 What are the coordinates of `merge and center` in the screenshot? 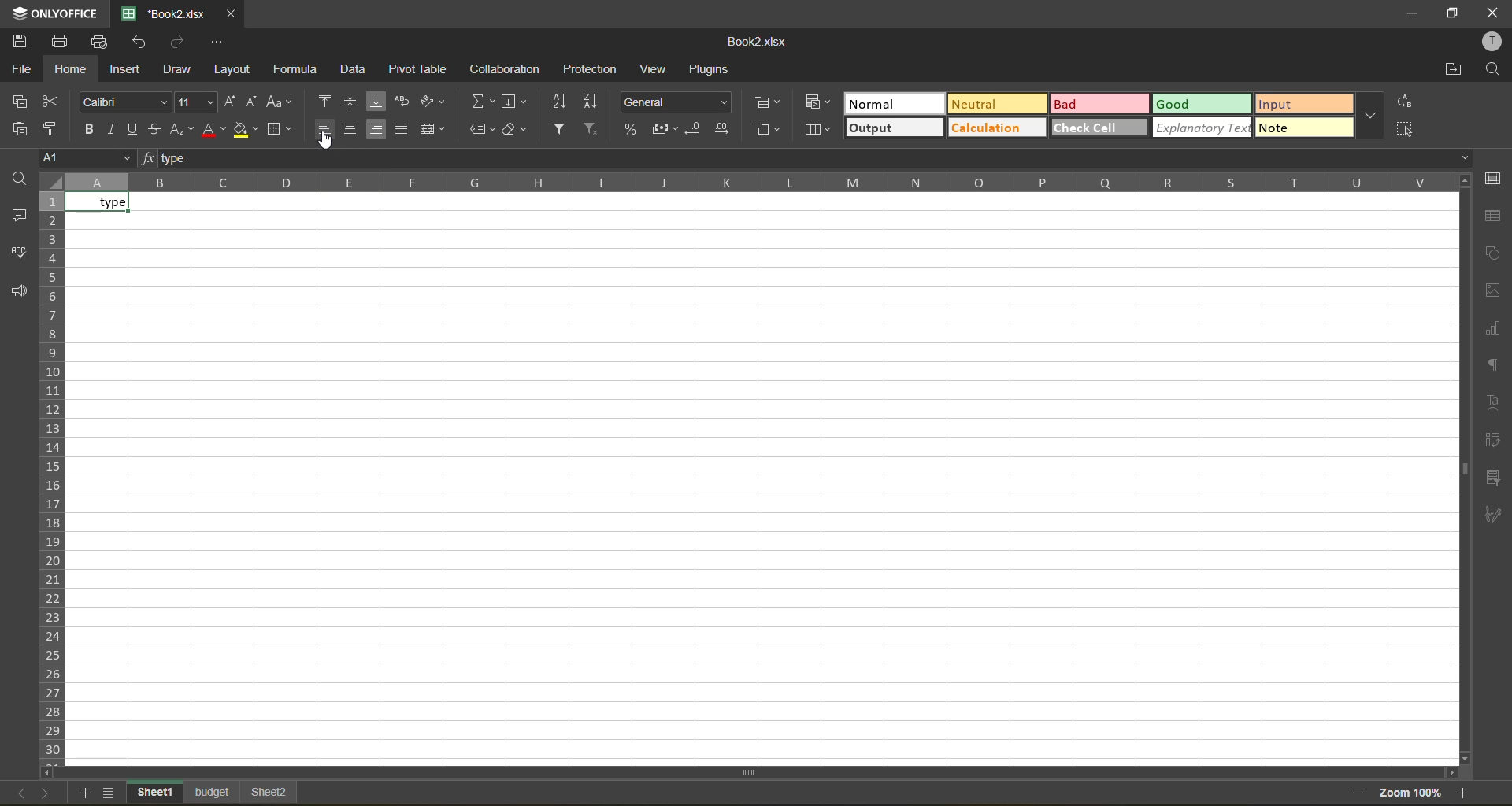 It's located at (434, 128).